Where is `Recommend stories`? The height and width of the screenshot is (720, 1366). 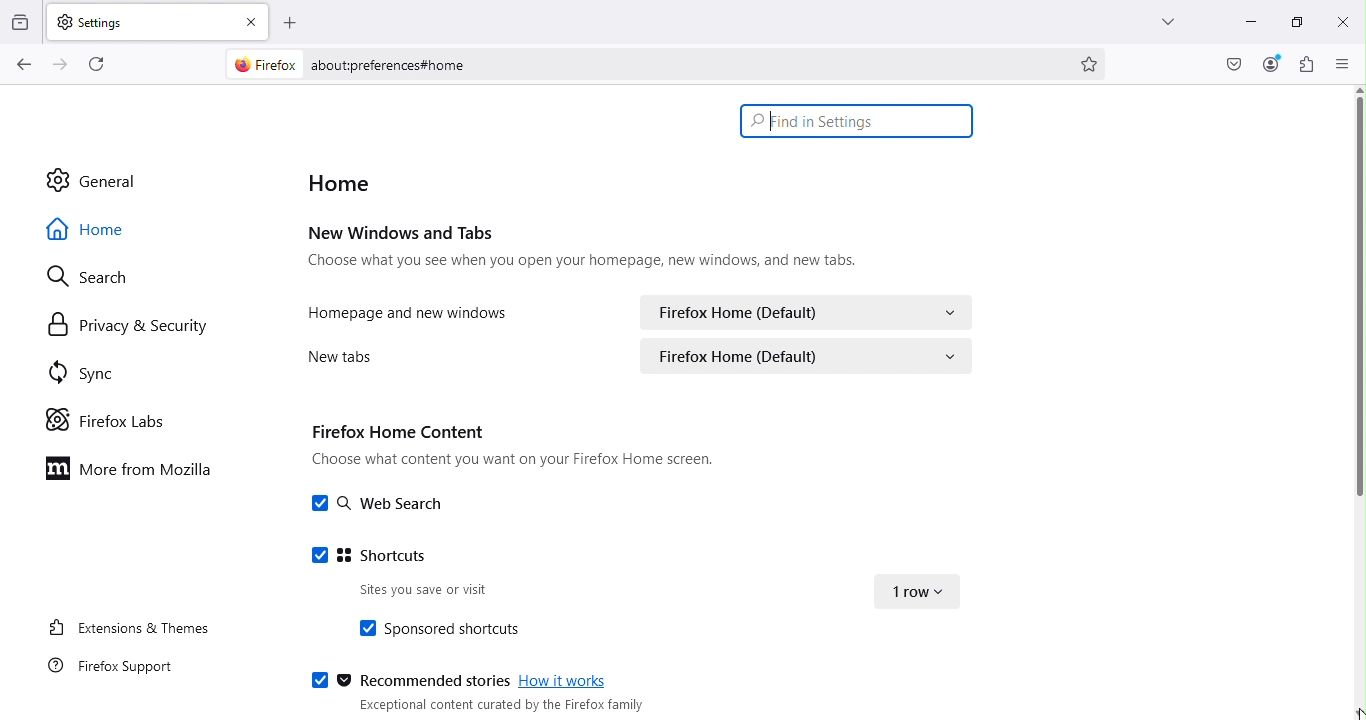
Recommend stories is located at coordinates (409, 678).